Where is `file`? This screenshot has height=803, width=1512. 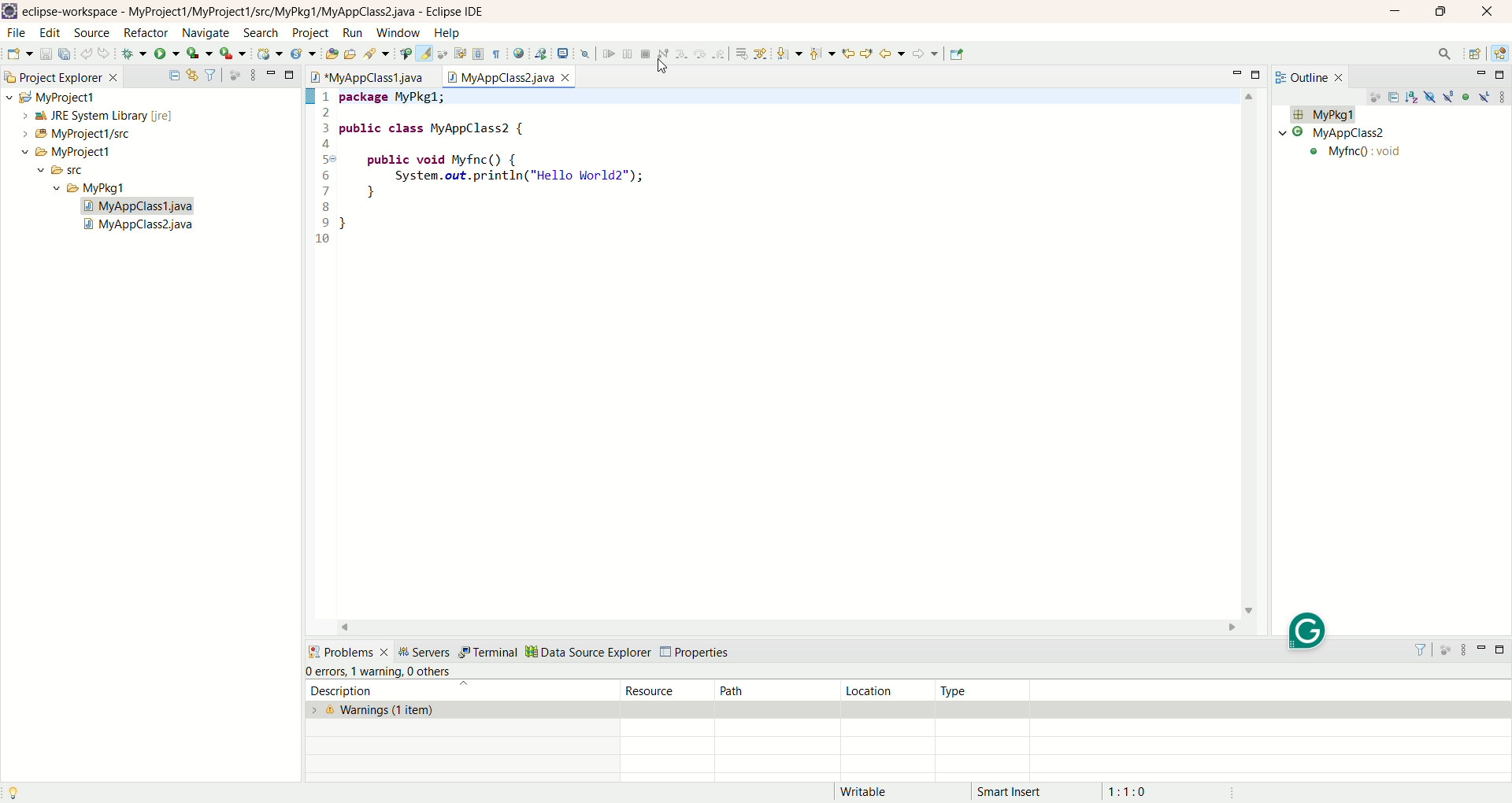 file is located at coordinates (20, 35).